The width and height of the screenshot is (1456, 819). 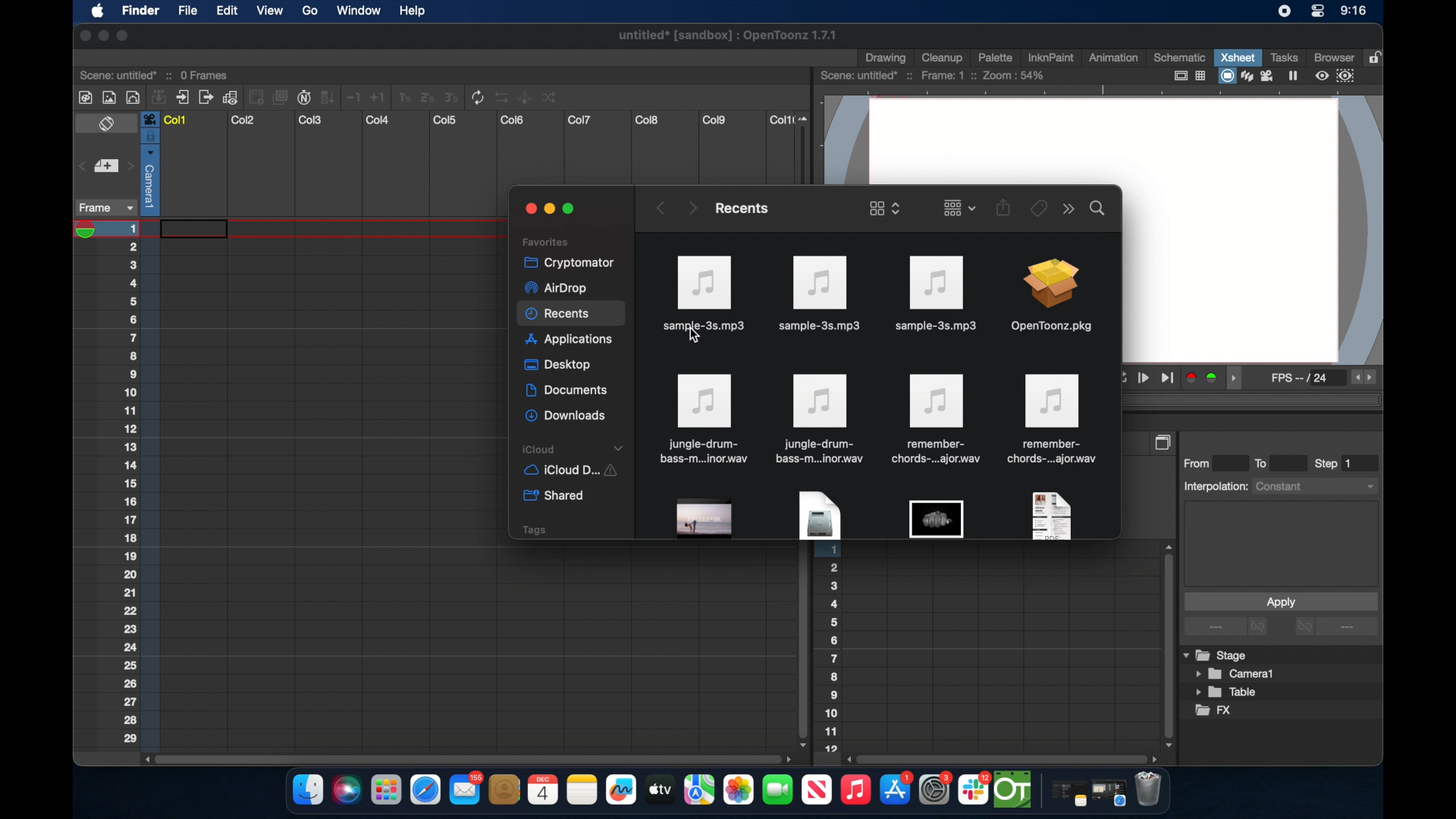 What do you see at coordinates (1050, 297) in the screenshot?
I see `package icon` at bounding box center [1050, 297].